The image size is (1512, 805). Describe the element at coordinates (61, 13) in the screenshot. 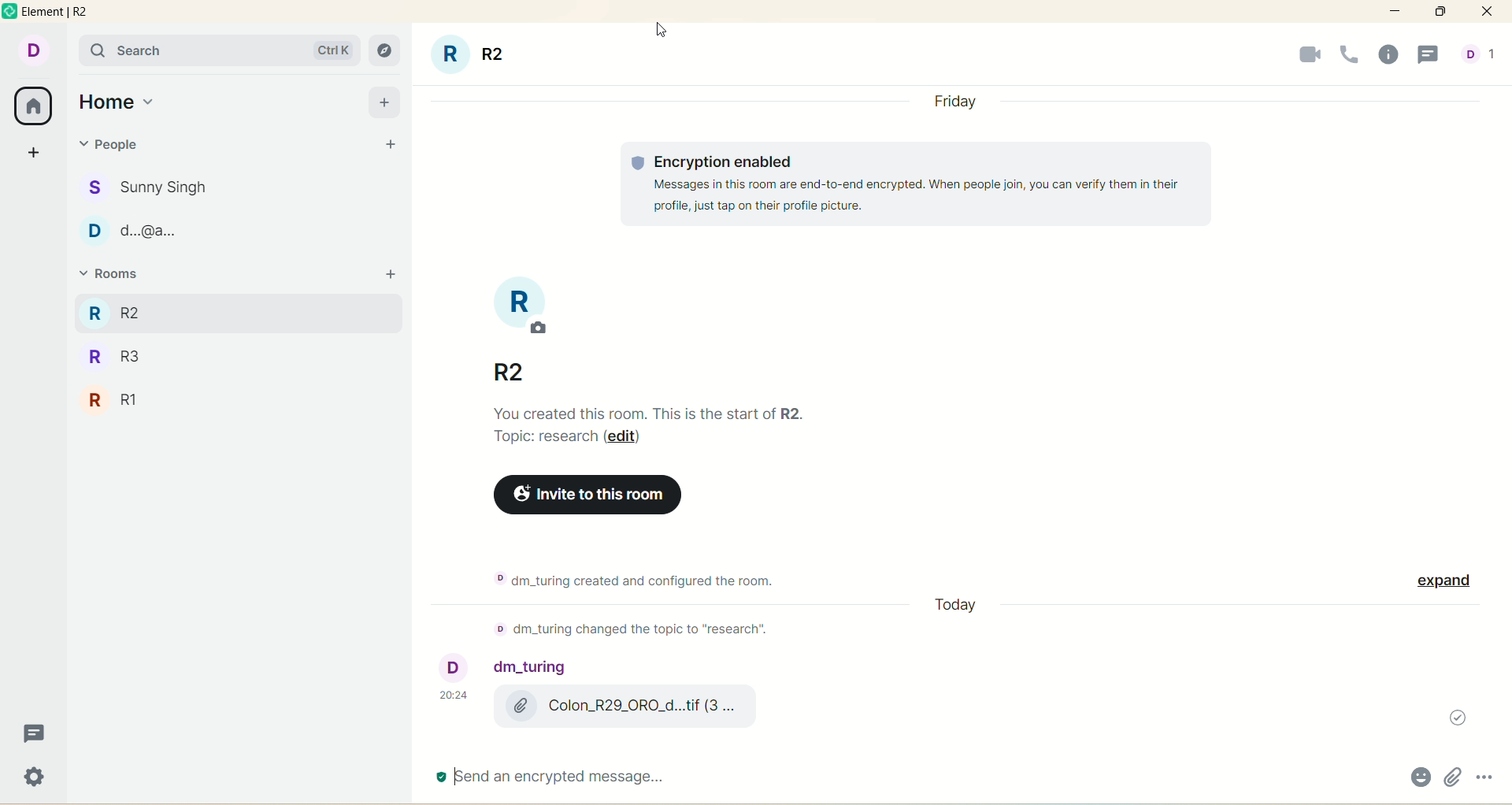

I see `element` at that location.